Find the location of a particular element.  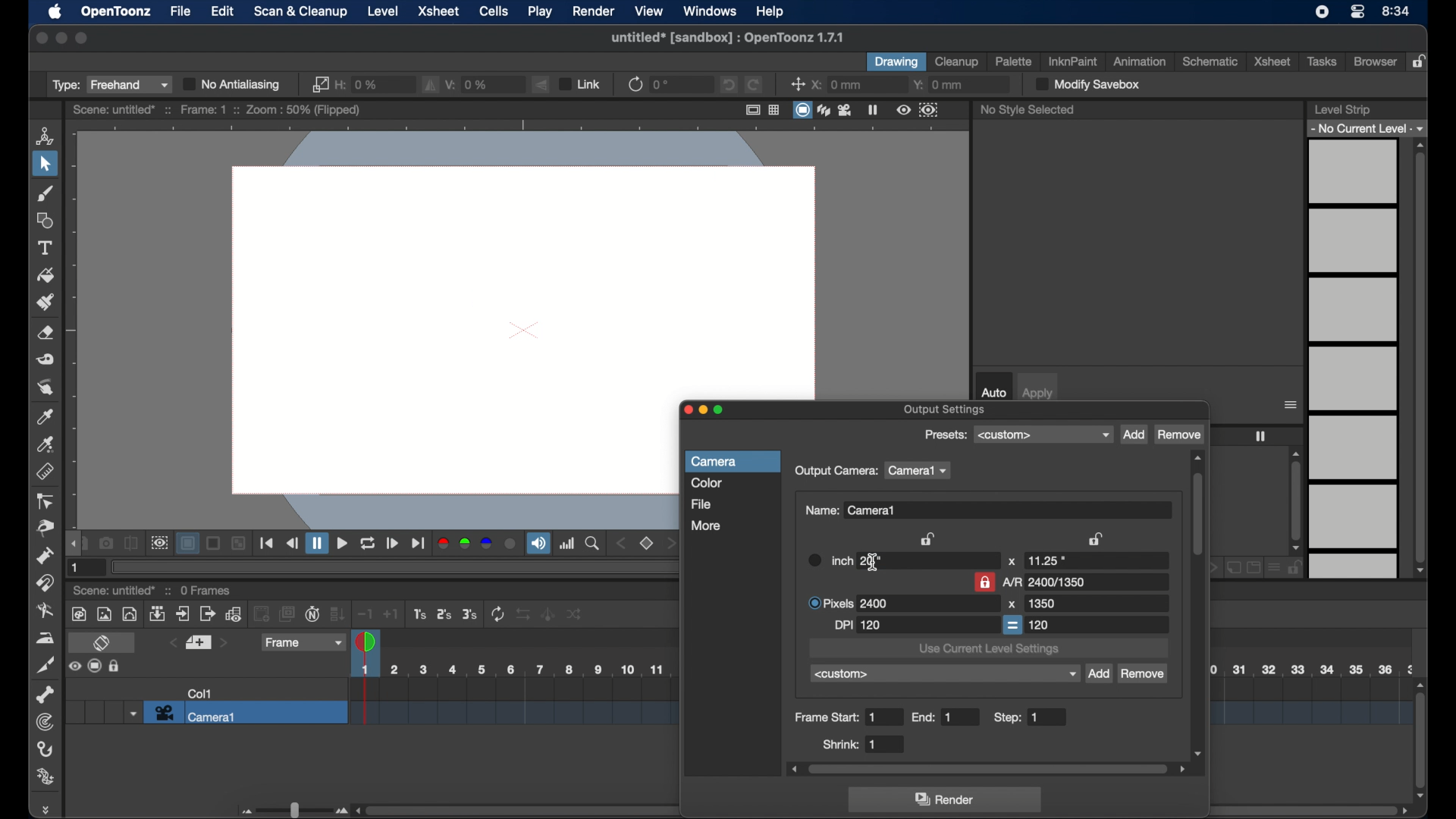

zoom is located at coordinates (593, 544).